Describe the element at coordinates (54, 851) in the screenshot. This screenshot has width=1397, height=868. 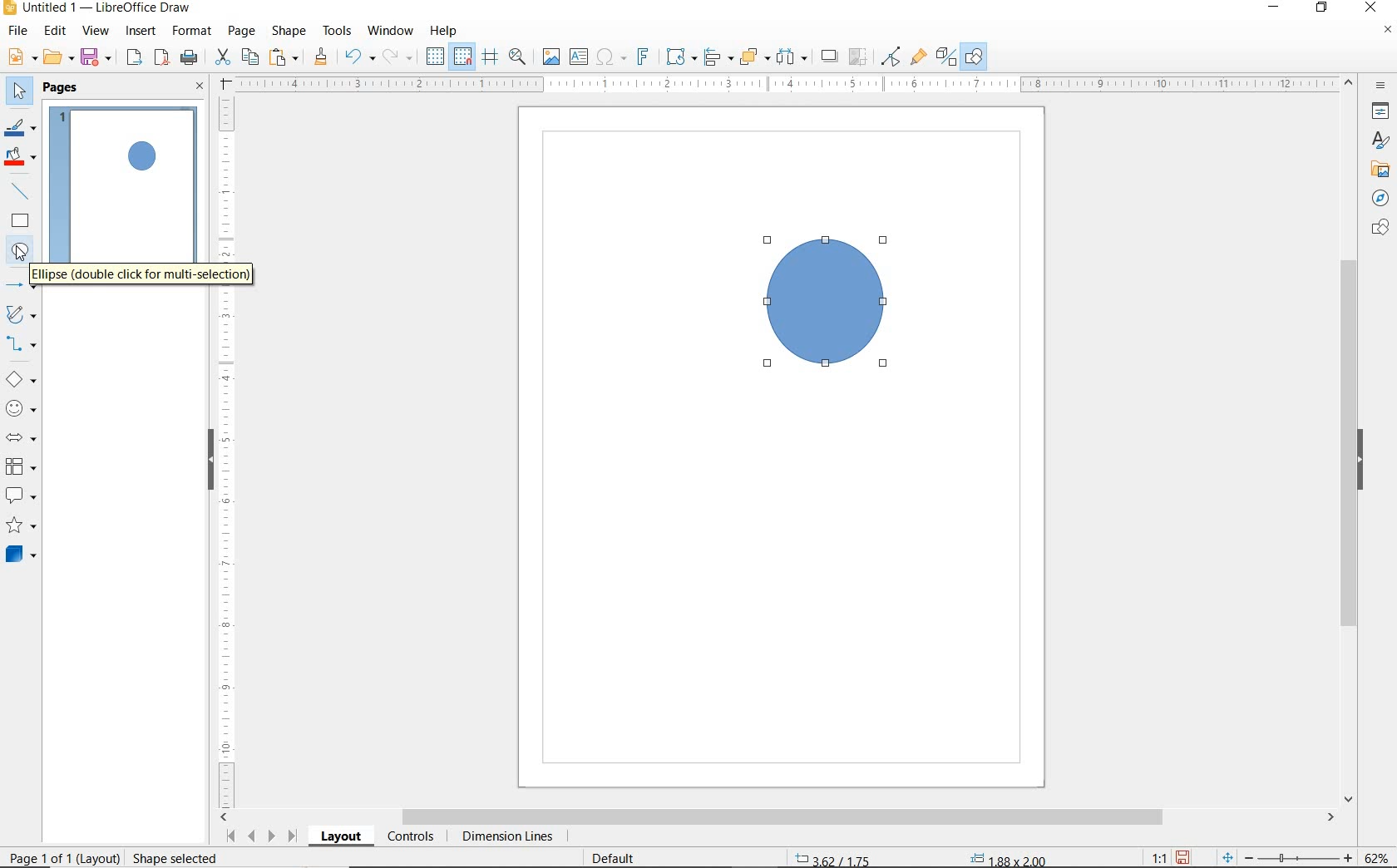
I see `PAGE 1 O 1` at that location.